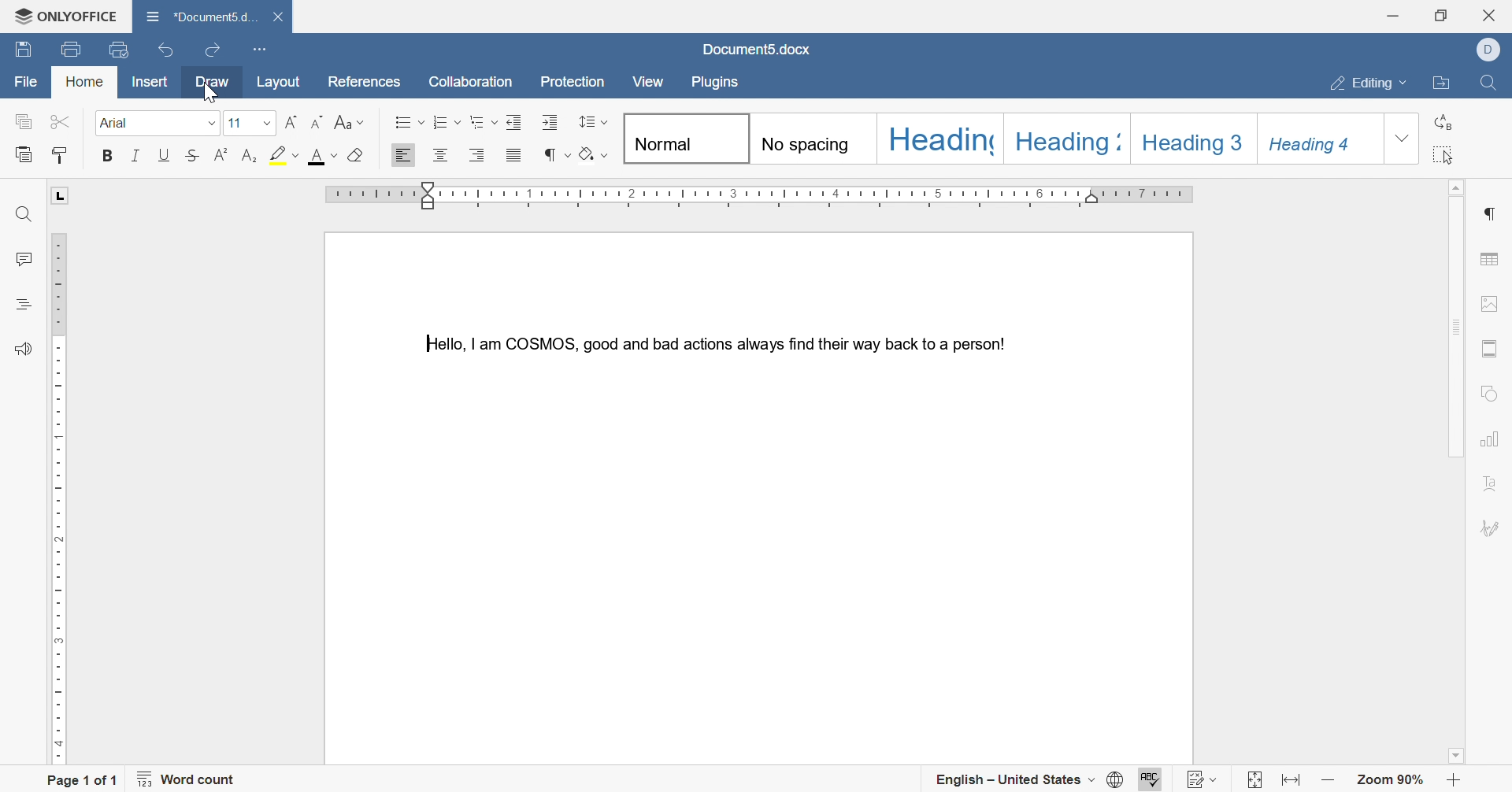 This screenshot has width=1512, height=792. Describe the element at coordinates (476, 155) in the screenshot. I see `align right` at that location.